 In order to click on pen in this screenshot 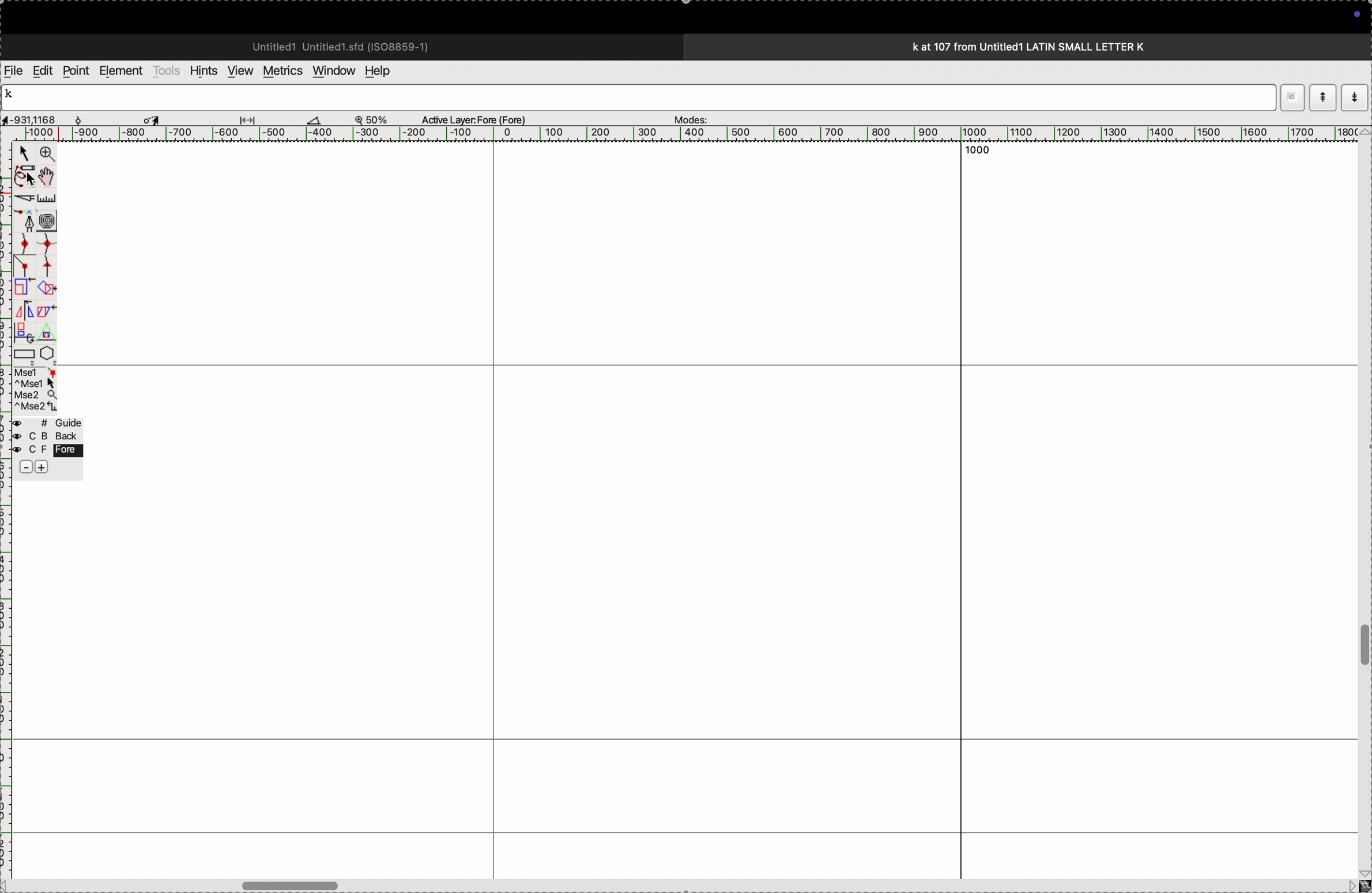, I will do `click(27, 175)`.